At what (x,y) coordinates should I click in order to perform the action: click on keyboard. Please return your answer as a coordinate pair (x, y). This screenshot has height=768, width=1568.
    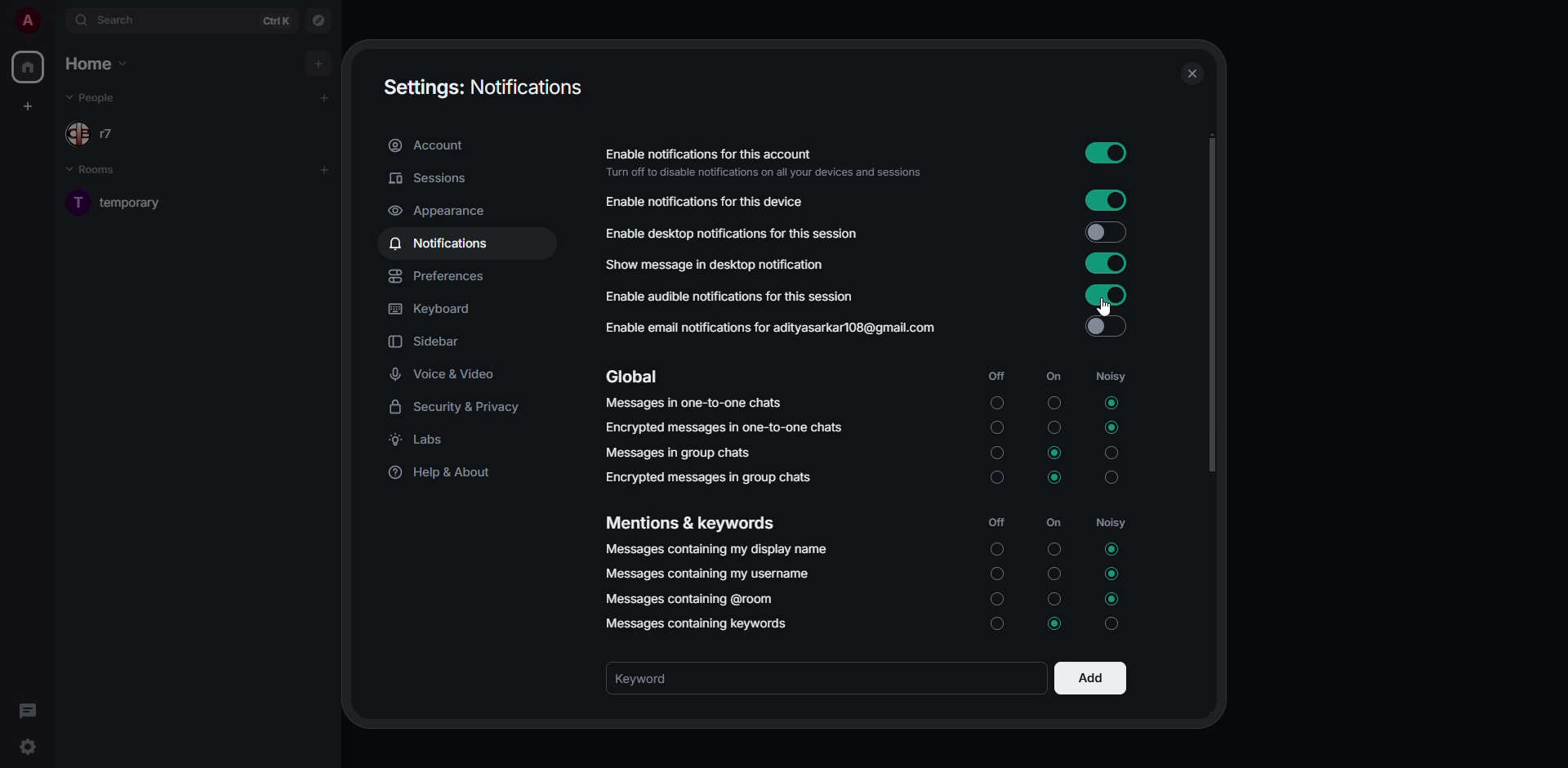
    Looking at the image, I should click on (434, 310).